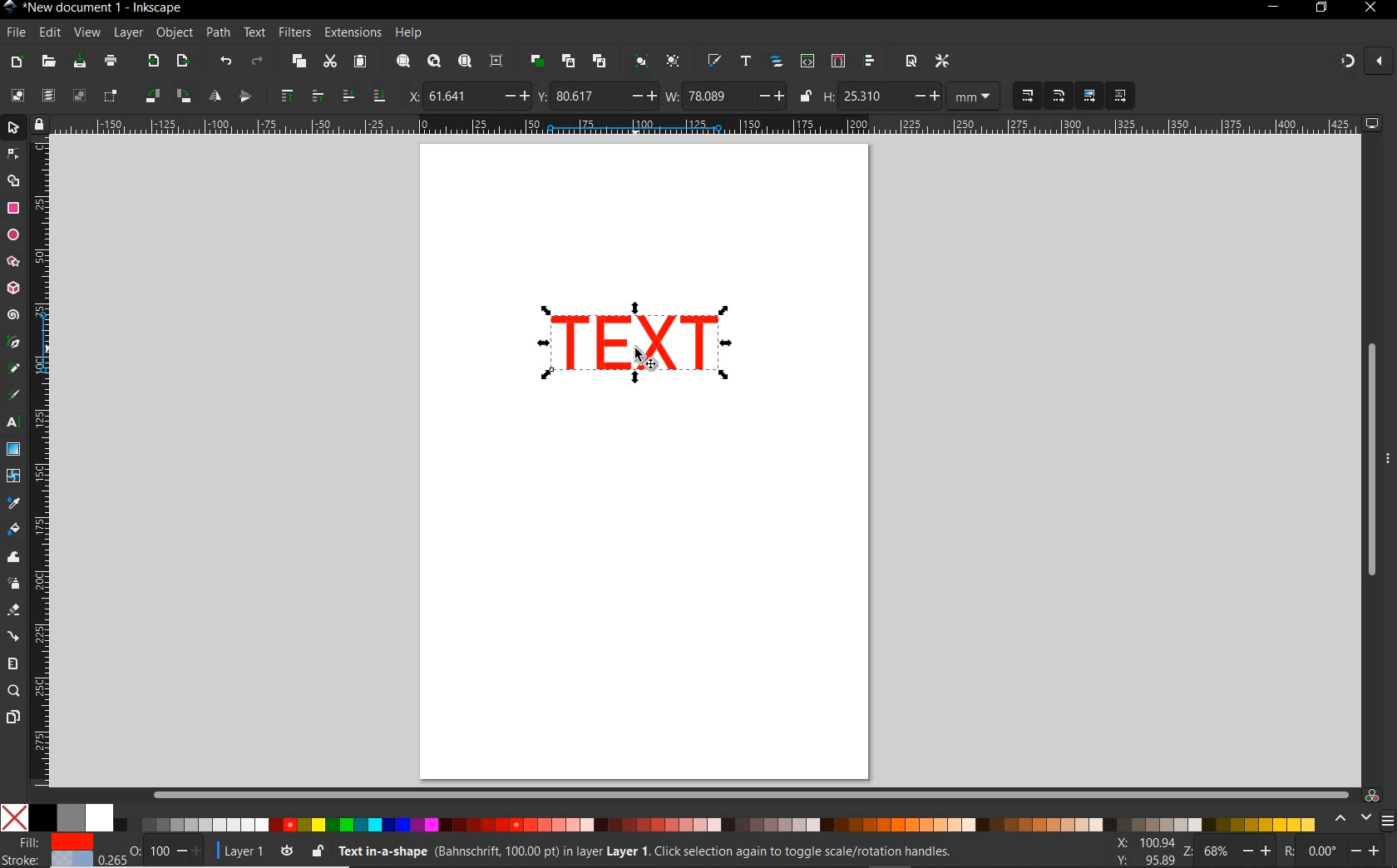  Describe the element at coordinates (673, 62) in the screenshot. I see `ungroup` at that location.